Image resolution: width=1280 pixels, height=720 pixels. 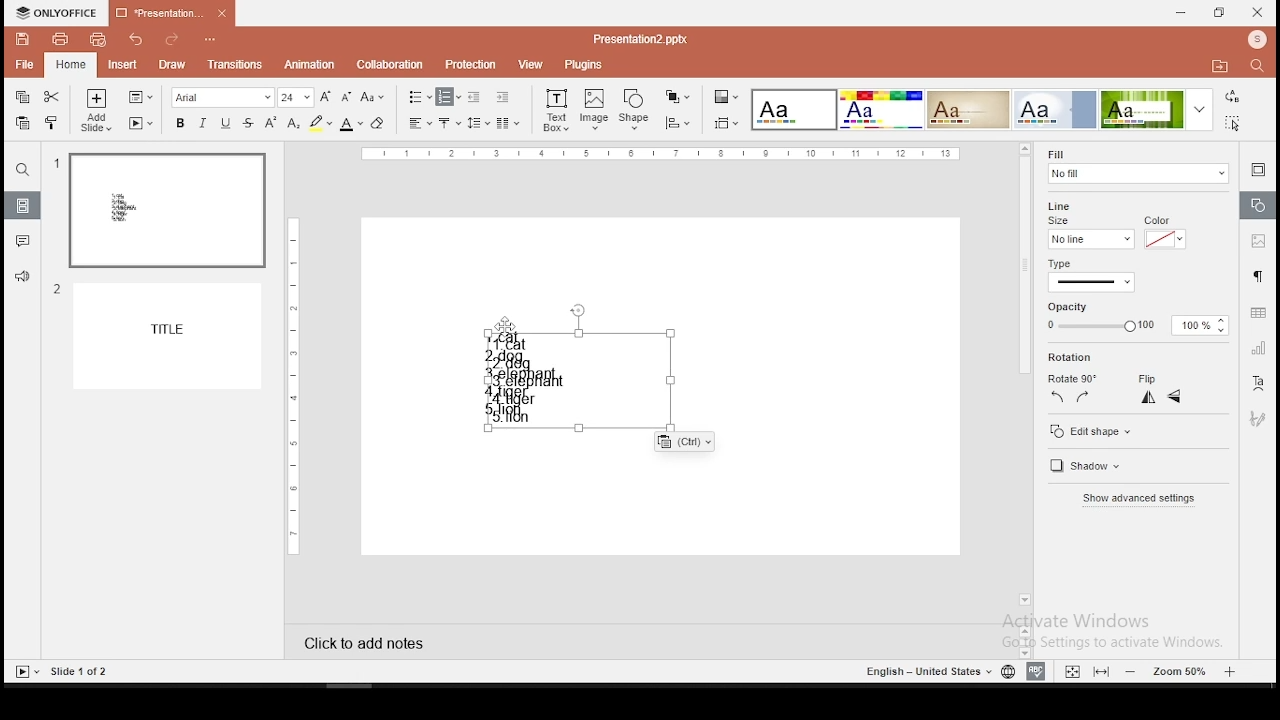 I want to click on table settings, so click(x=1256, y=313).